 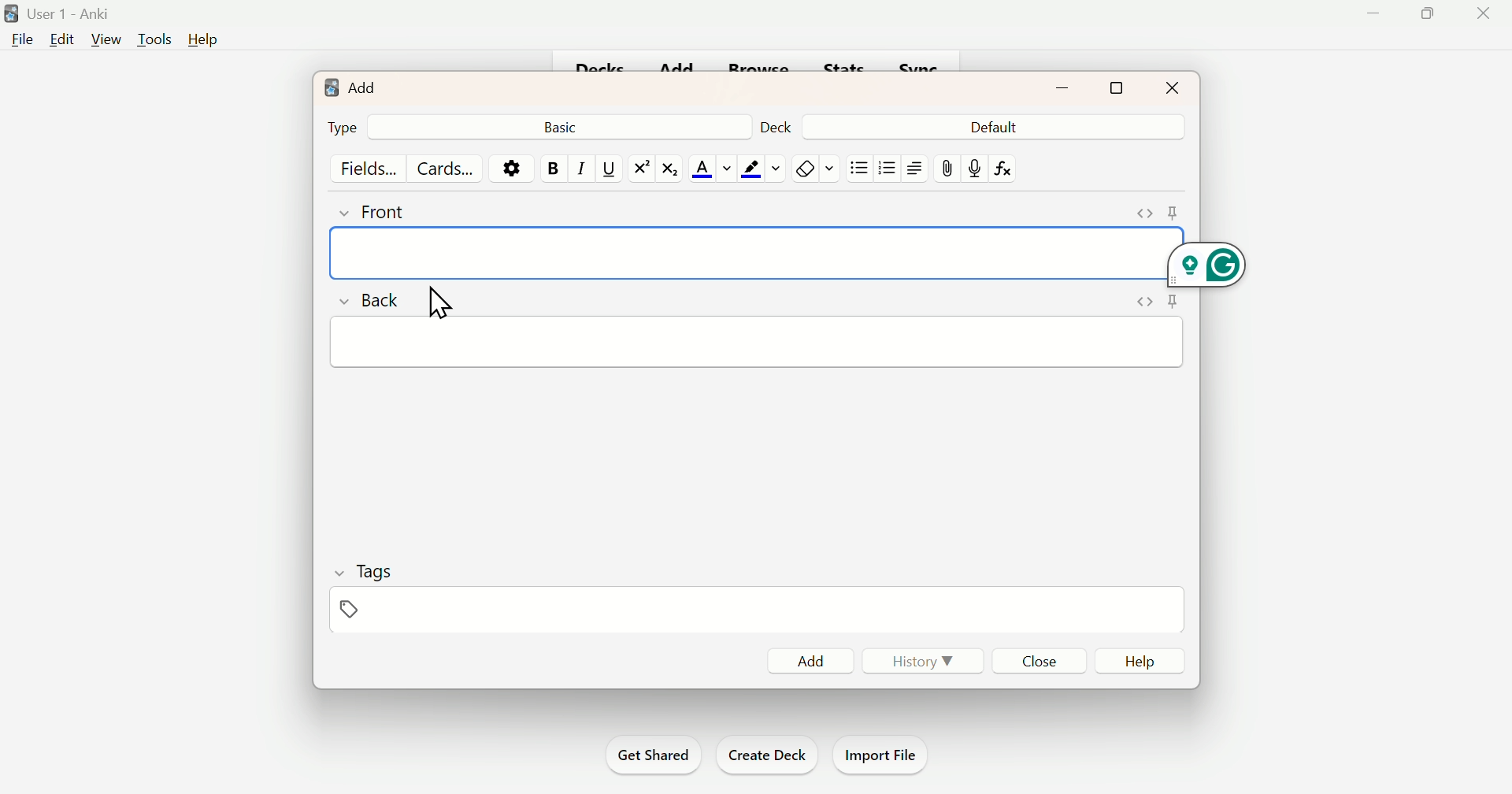 What do you see at coordinates (925, 662) in the screenshot?
I see `History` at bounding box center [925, 662].